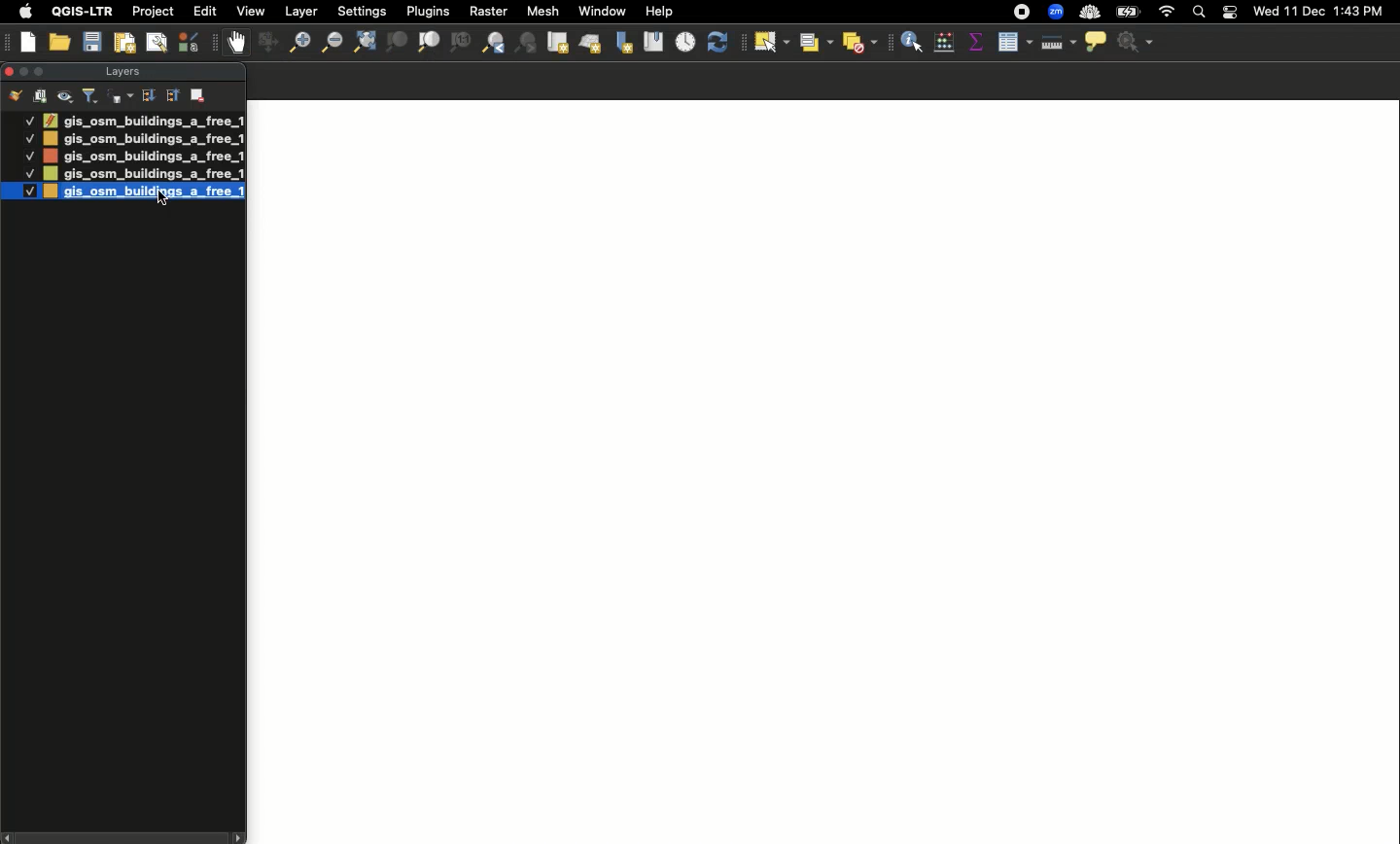  What do you see at coordinates (622, 44) in the screenshot?
I see `New spatial bookmark` at bounding box center [622, 44].